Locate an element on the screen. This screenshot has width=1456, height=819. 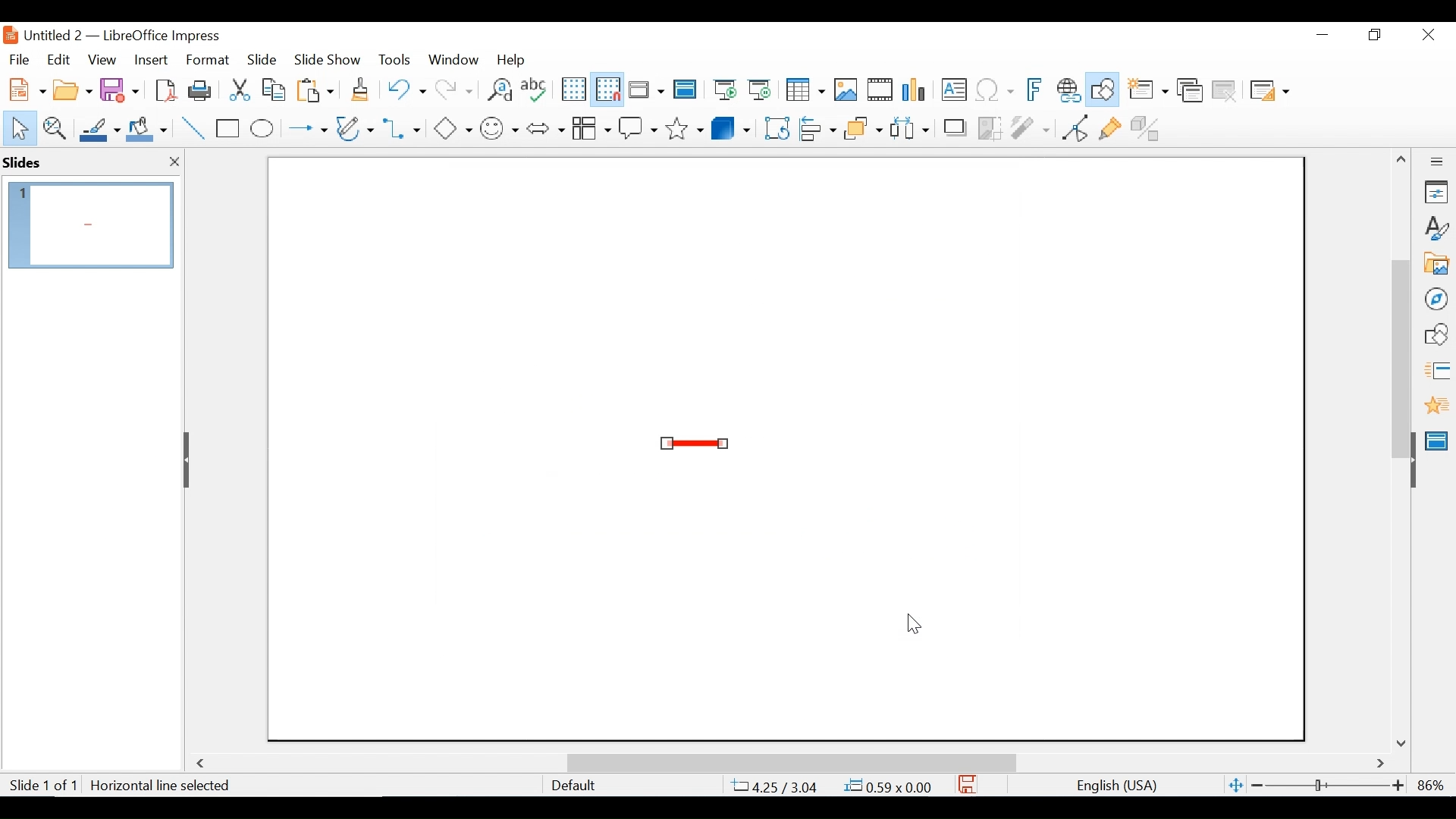
 is located at coordinates (356, 127).